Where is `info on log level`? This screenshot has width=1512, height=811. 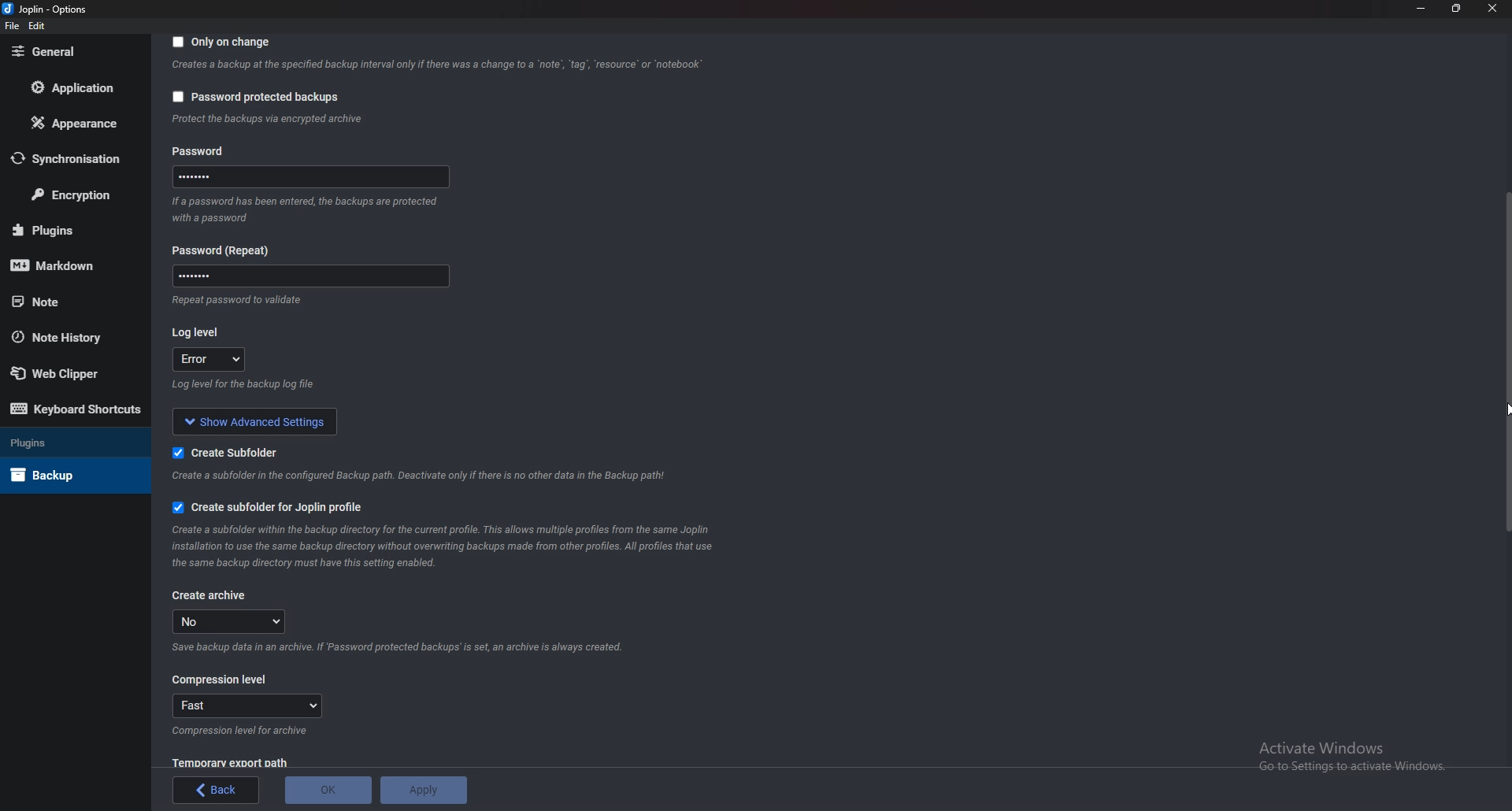
info on log level is located at coordinates (245, 385).